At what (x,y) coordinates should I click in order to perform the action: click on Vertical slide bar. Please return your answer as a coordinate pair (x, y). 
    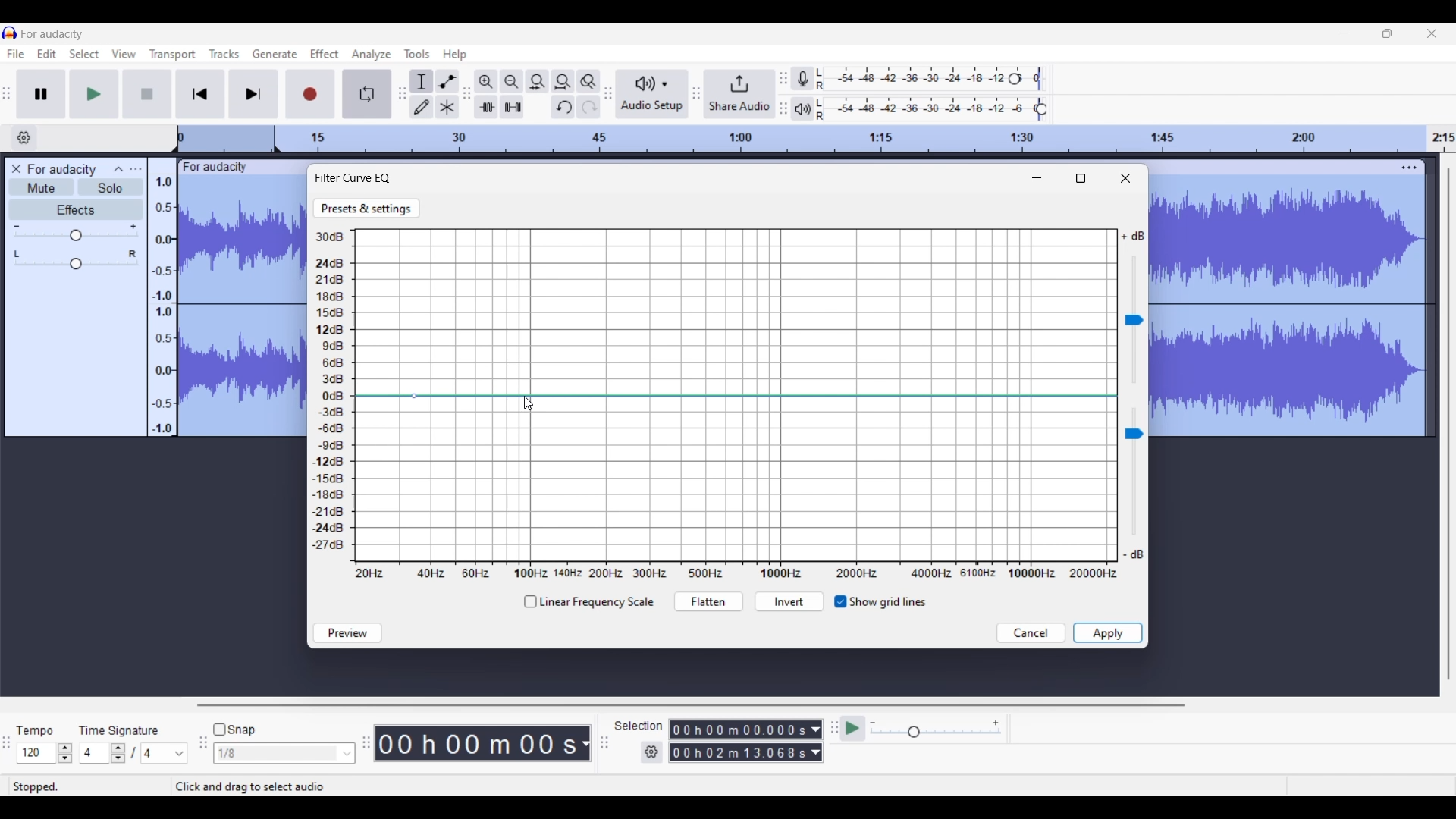
    Looking at the image, I should click on (1448, 423).